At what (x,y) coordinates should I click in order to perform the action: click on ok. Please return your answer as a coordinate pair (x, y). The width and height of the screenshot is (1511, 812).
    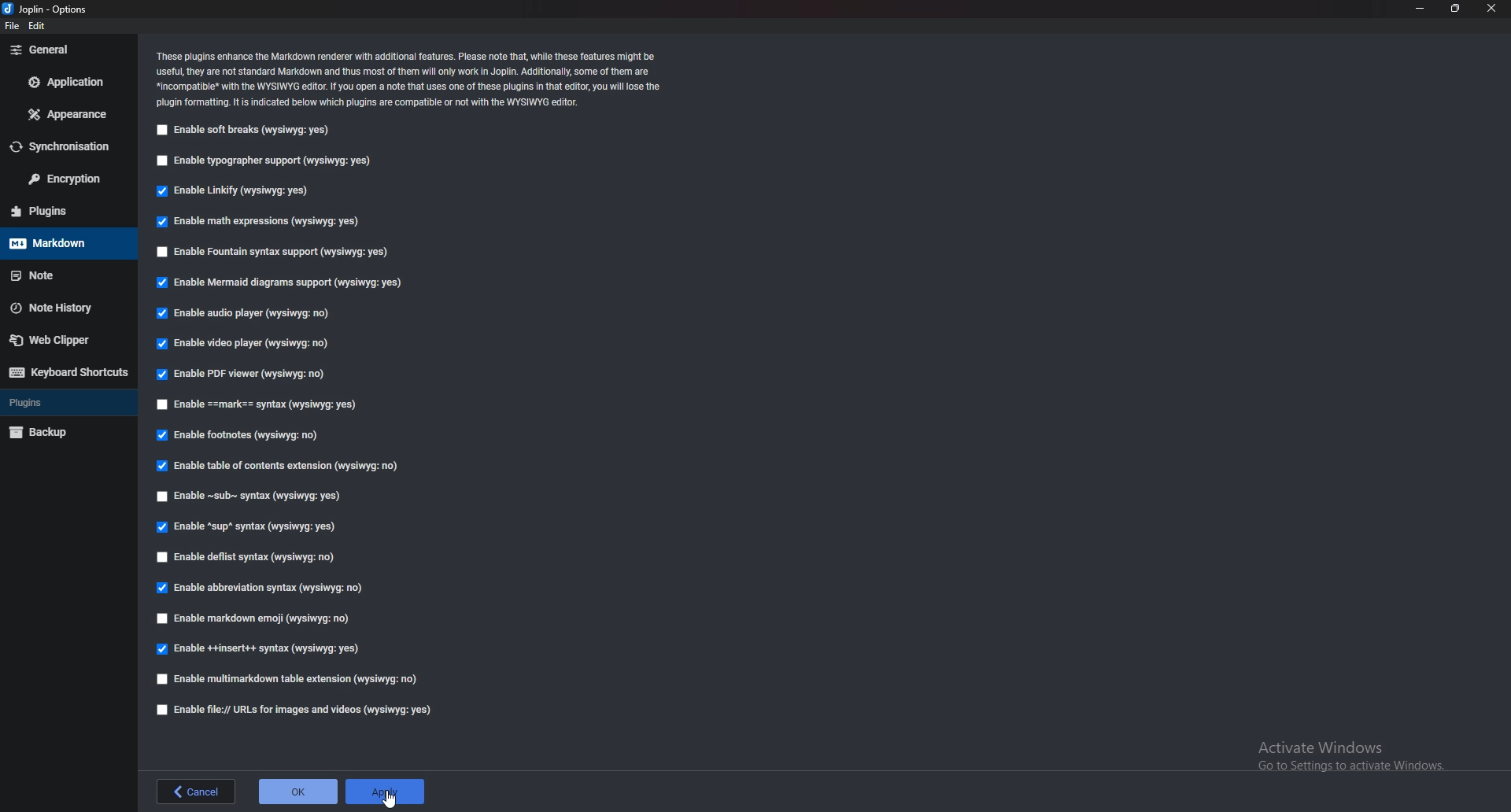
    Looking at the image, I should click on (298, 789).